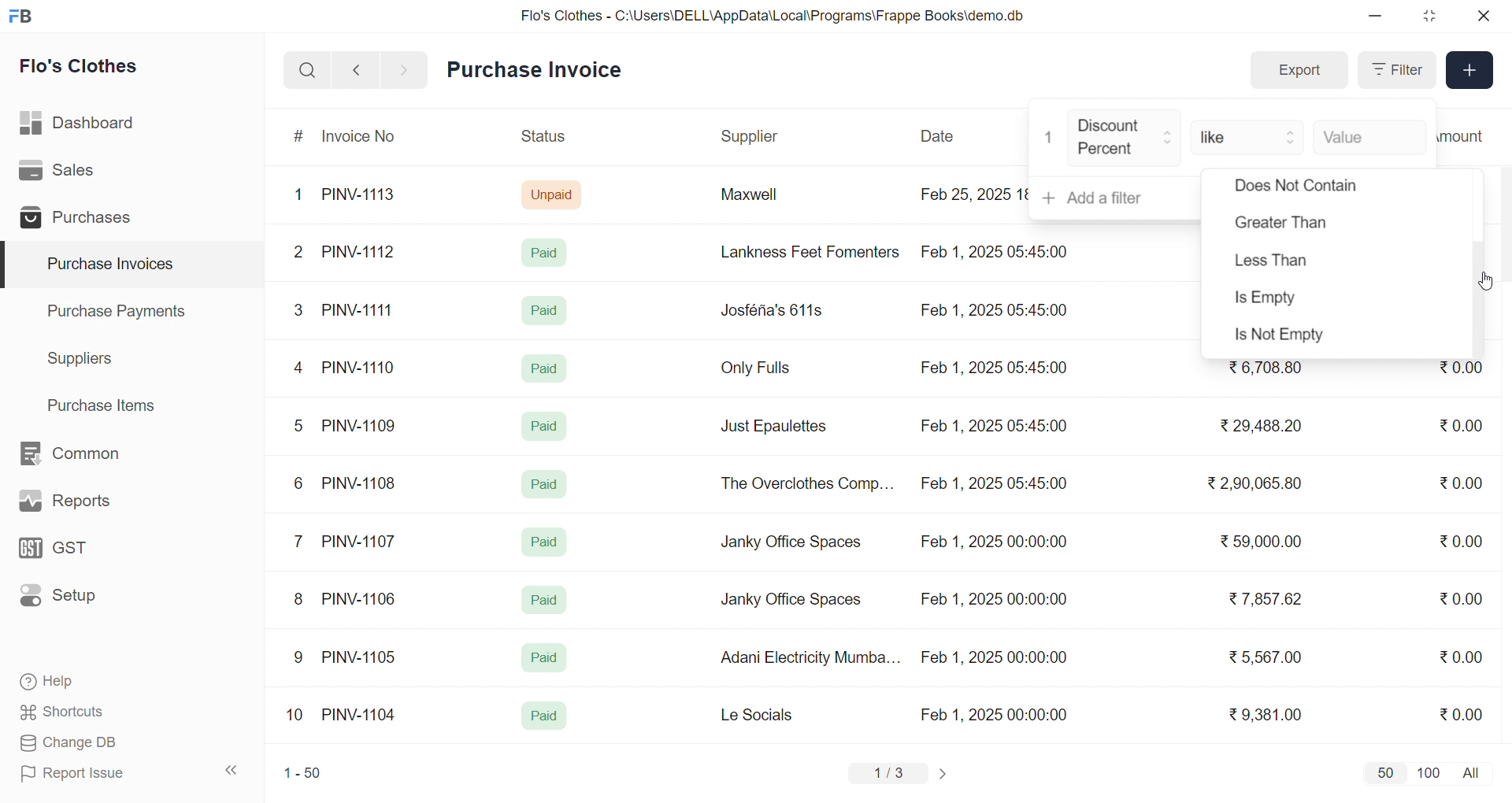 This screenshot has width=1512, height=803. What do you see at coordinates (762, 372) in the screenshot?
I see `Only Fulls` at bounding box center [762, 372].